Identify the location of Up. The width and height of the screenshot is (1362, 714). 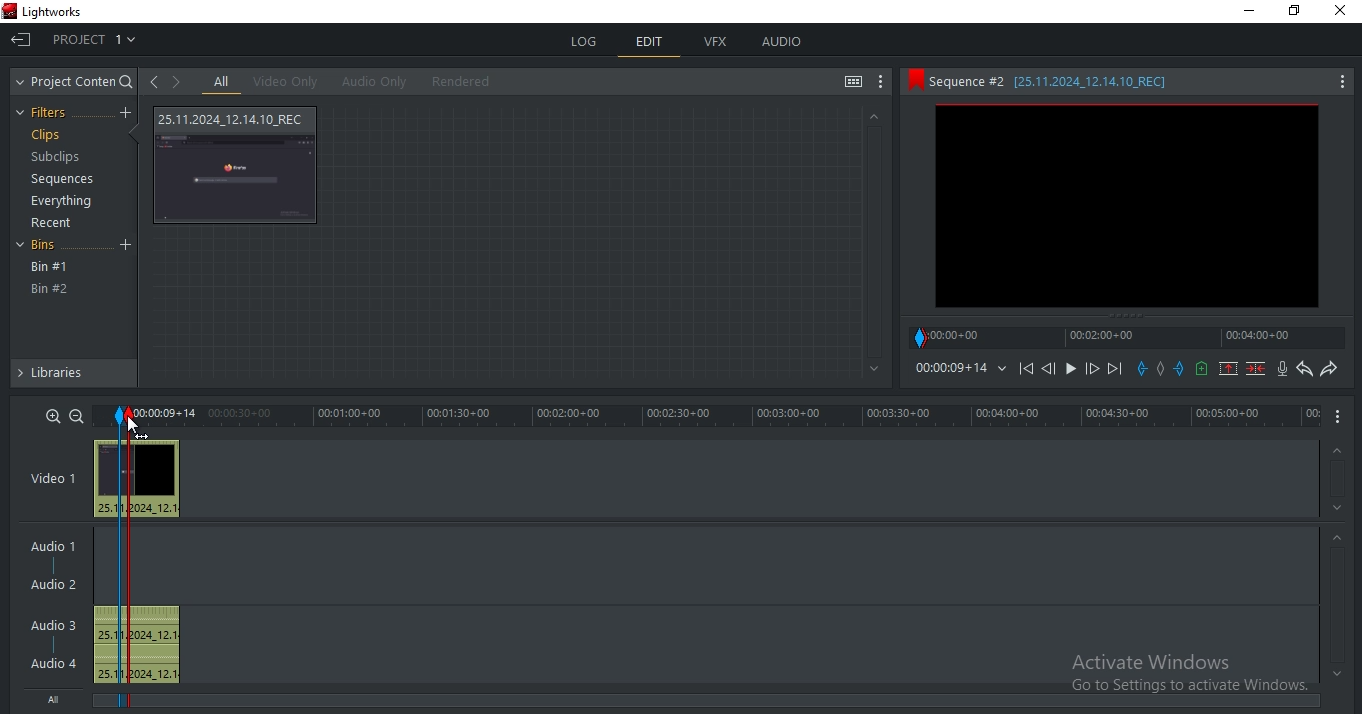
(873, 116).